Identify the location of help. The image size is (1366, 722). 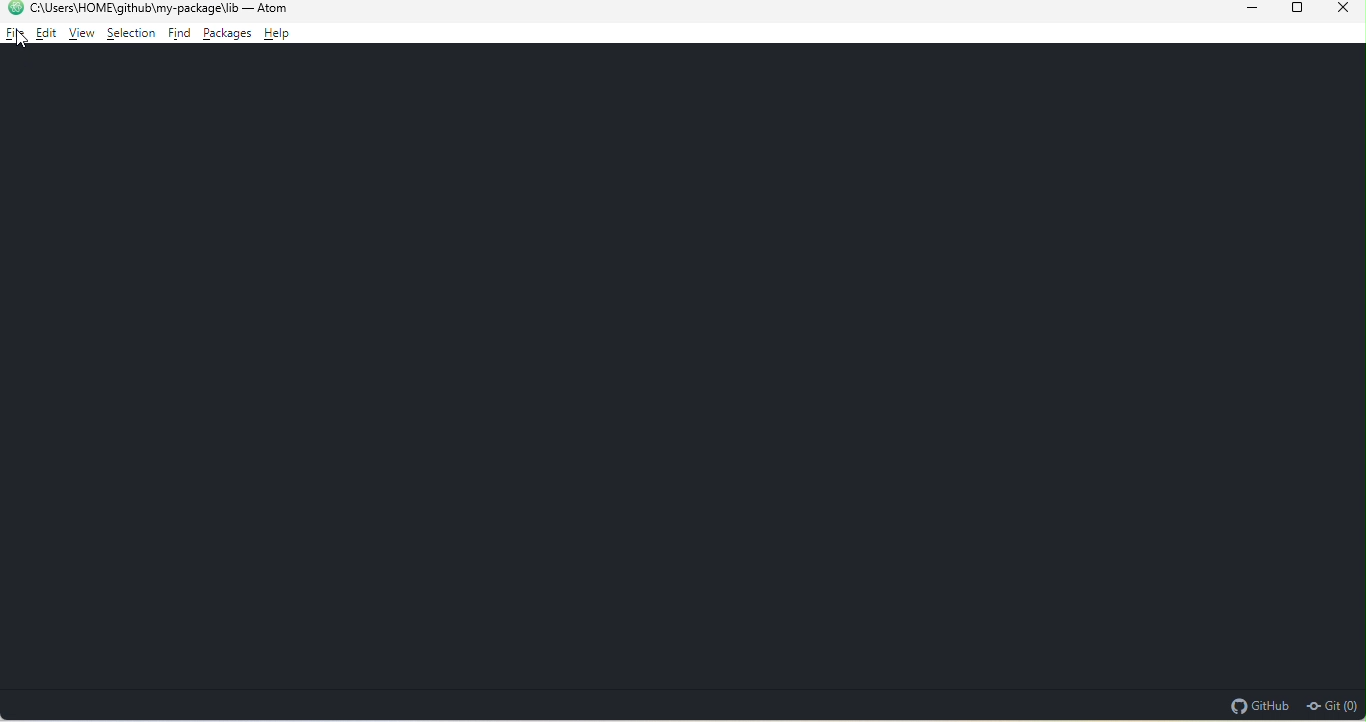
(279, 34).